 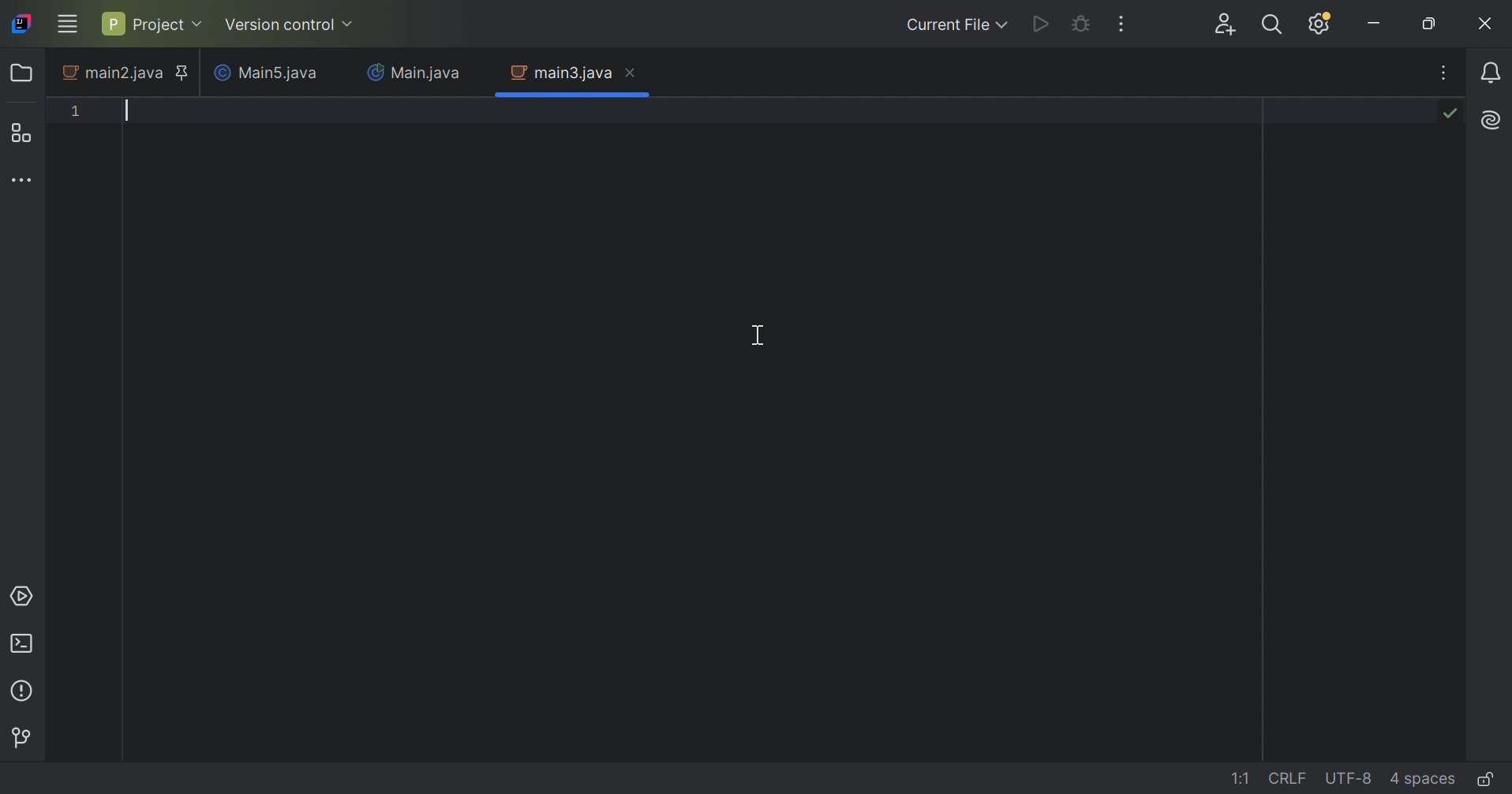 I want to click on Main5.java, so click(x=264, y=71).